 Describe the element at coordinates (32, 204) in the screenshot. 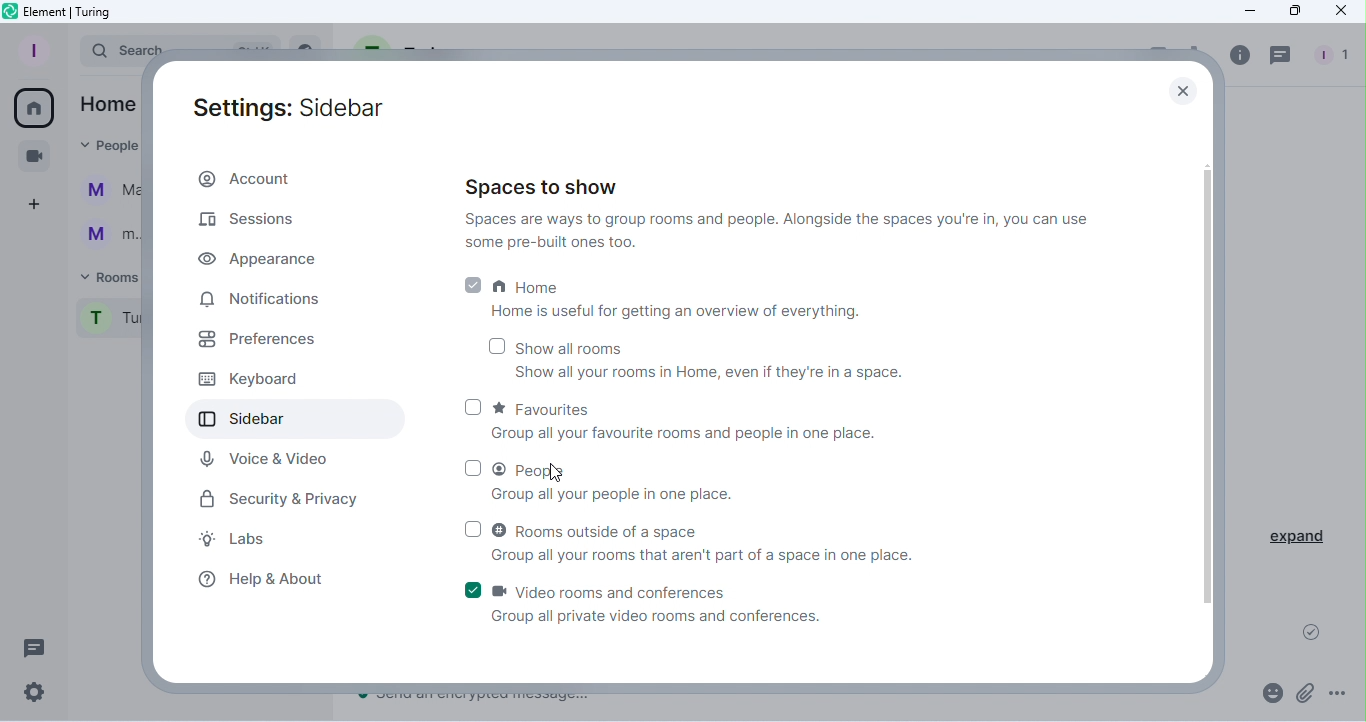

I see `Create a space` at that location.